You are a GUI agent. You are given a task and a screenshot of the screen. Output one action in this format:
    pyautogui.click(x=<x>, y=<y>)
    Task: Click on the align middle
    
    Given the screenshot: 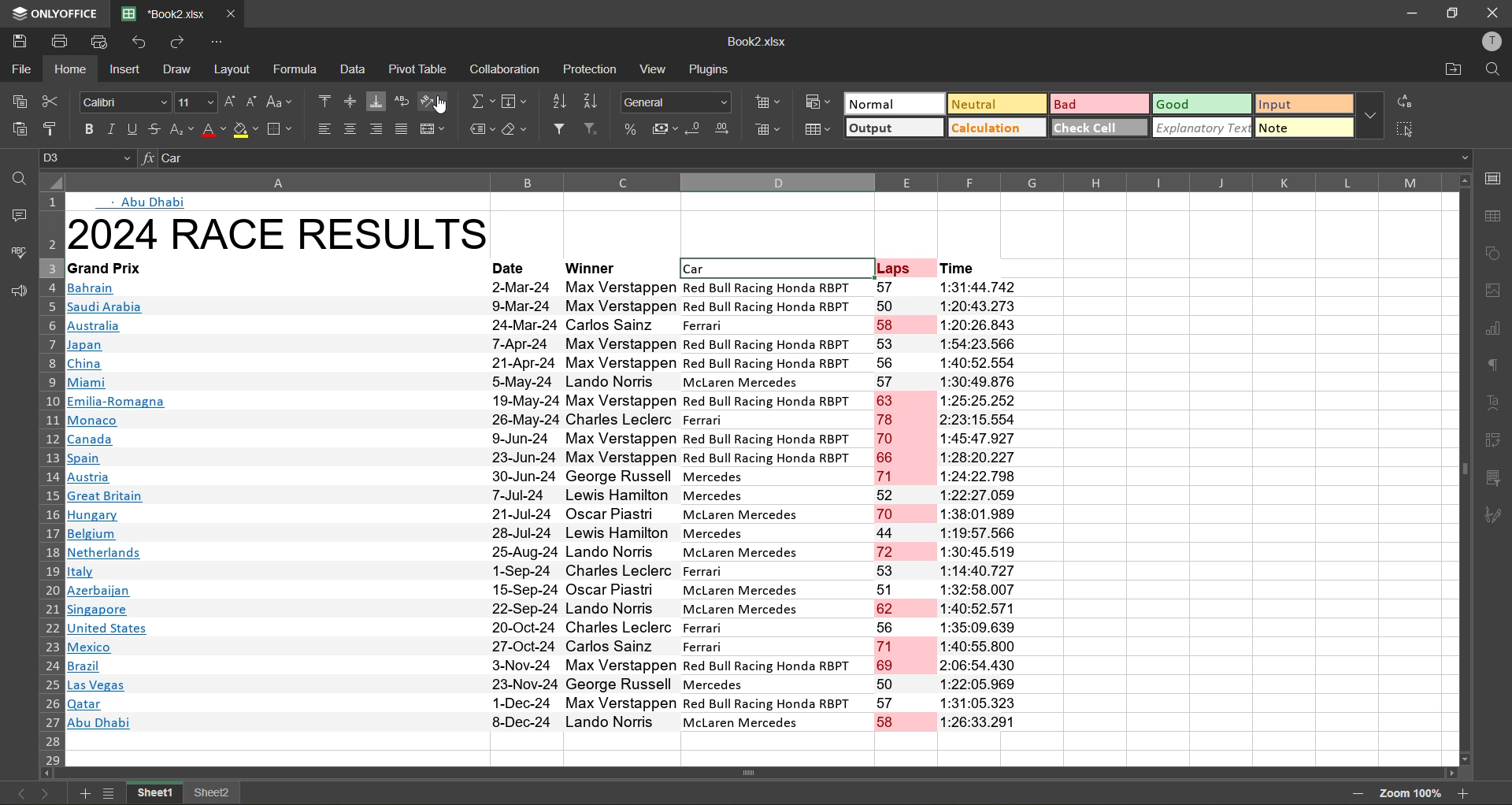 What is the action you would take?
    pyautogui.click(x=351, y=102)
    